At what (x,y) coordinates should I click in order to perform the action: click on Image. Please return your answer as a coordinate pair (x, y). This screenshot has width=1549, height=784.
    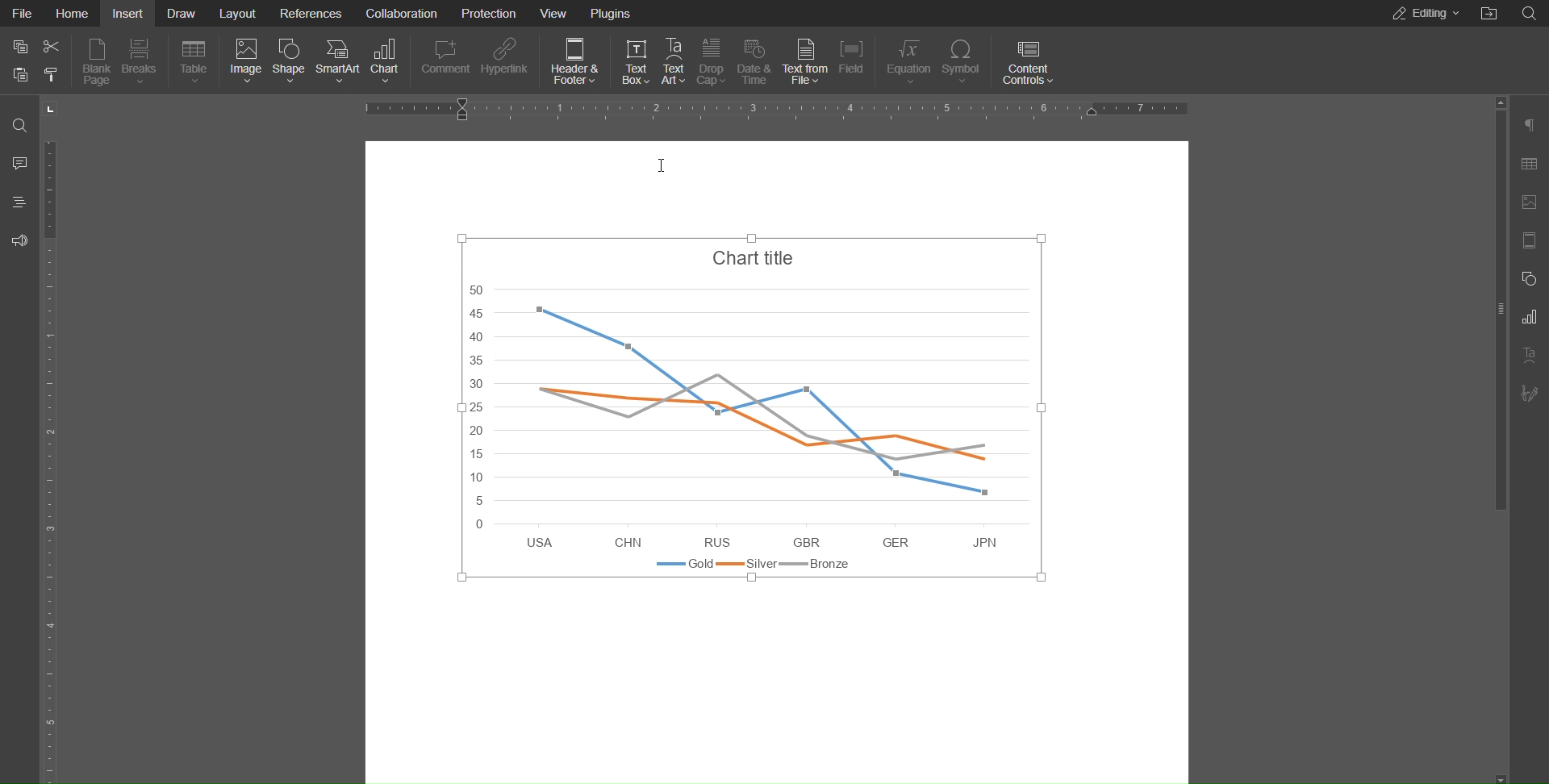
    Looking at the image, I should click on (245, 64).